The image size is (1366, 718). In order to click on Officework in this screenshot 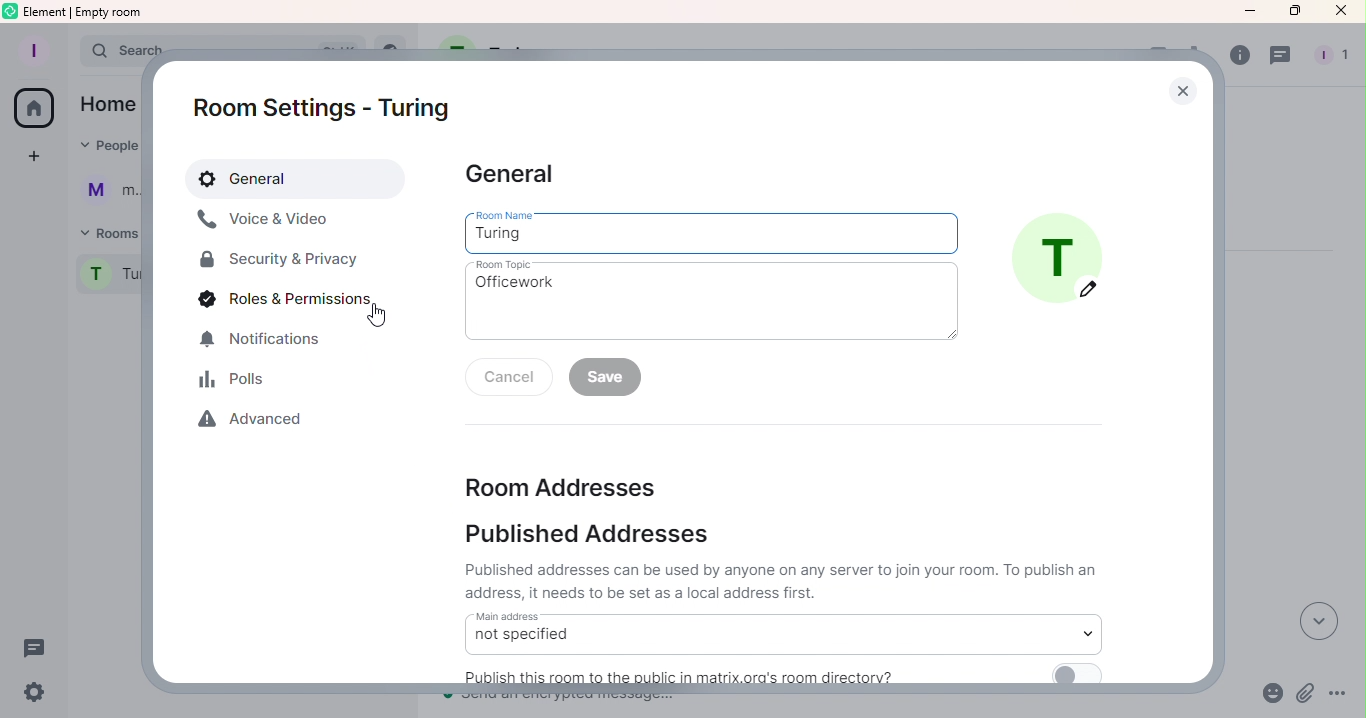, I will do `click(711, 298)`.